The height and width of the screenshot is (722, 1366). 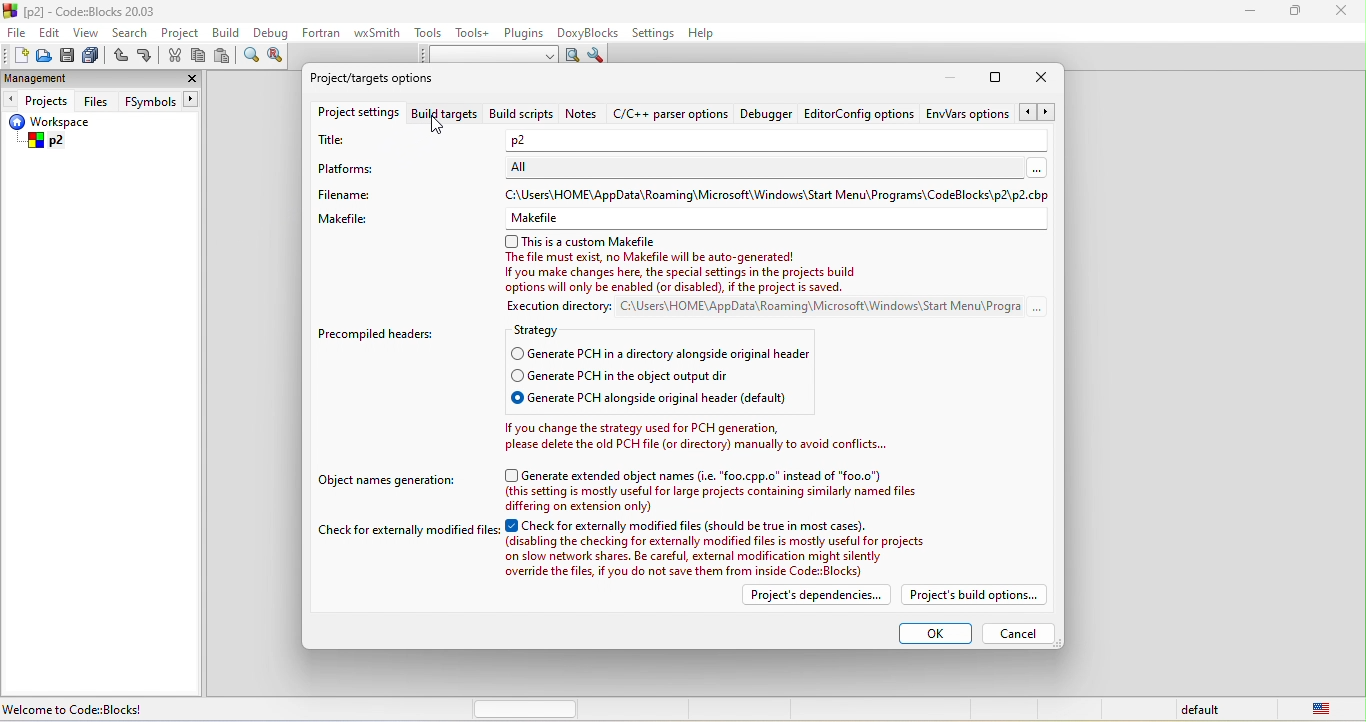 I want to click on project/target option, so click(x=385, y=82).